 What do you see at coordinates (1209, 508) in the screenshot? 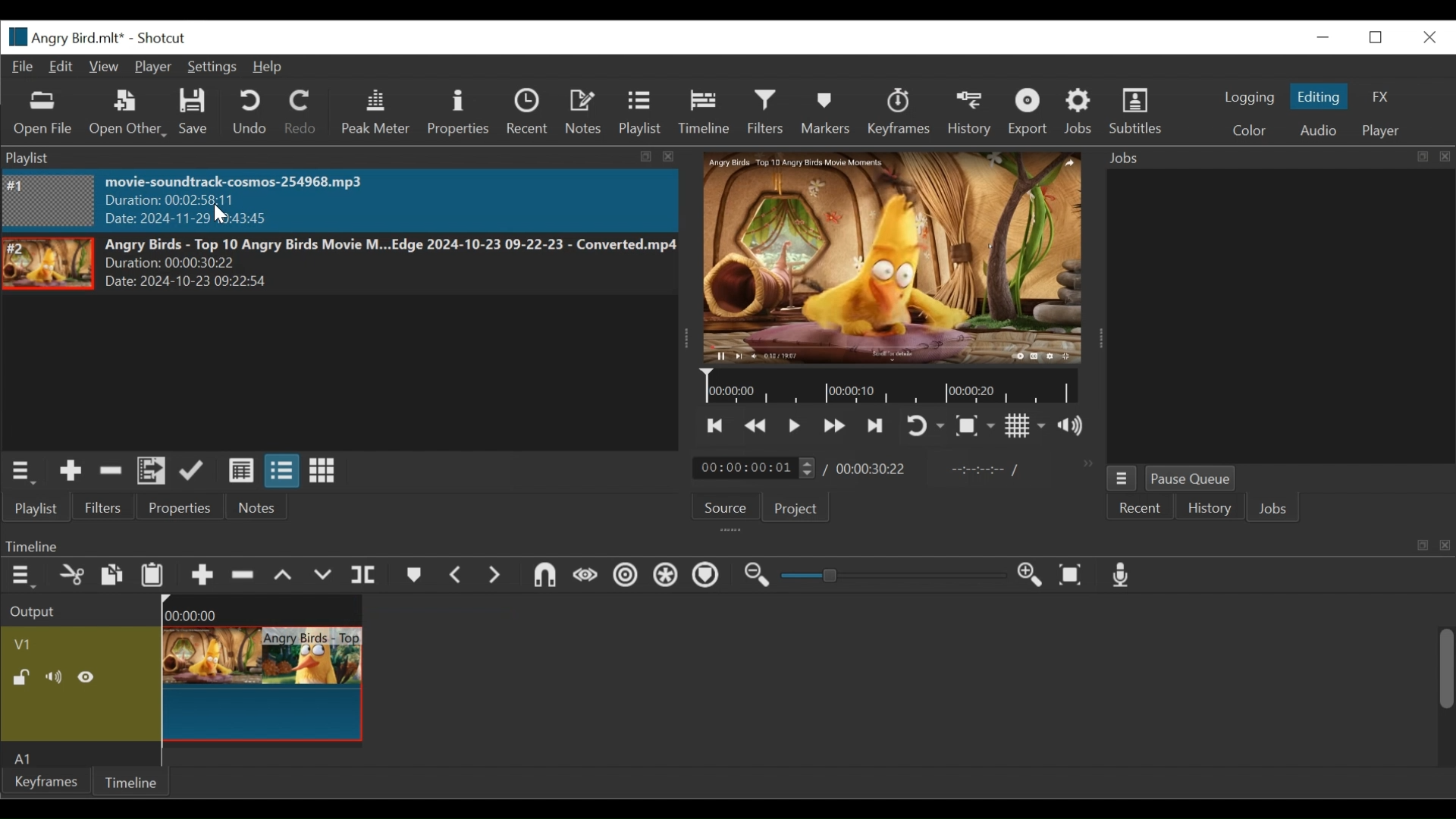
I see `History` at bounding box center [1209, 508].